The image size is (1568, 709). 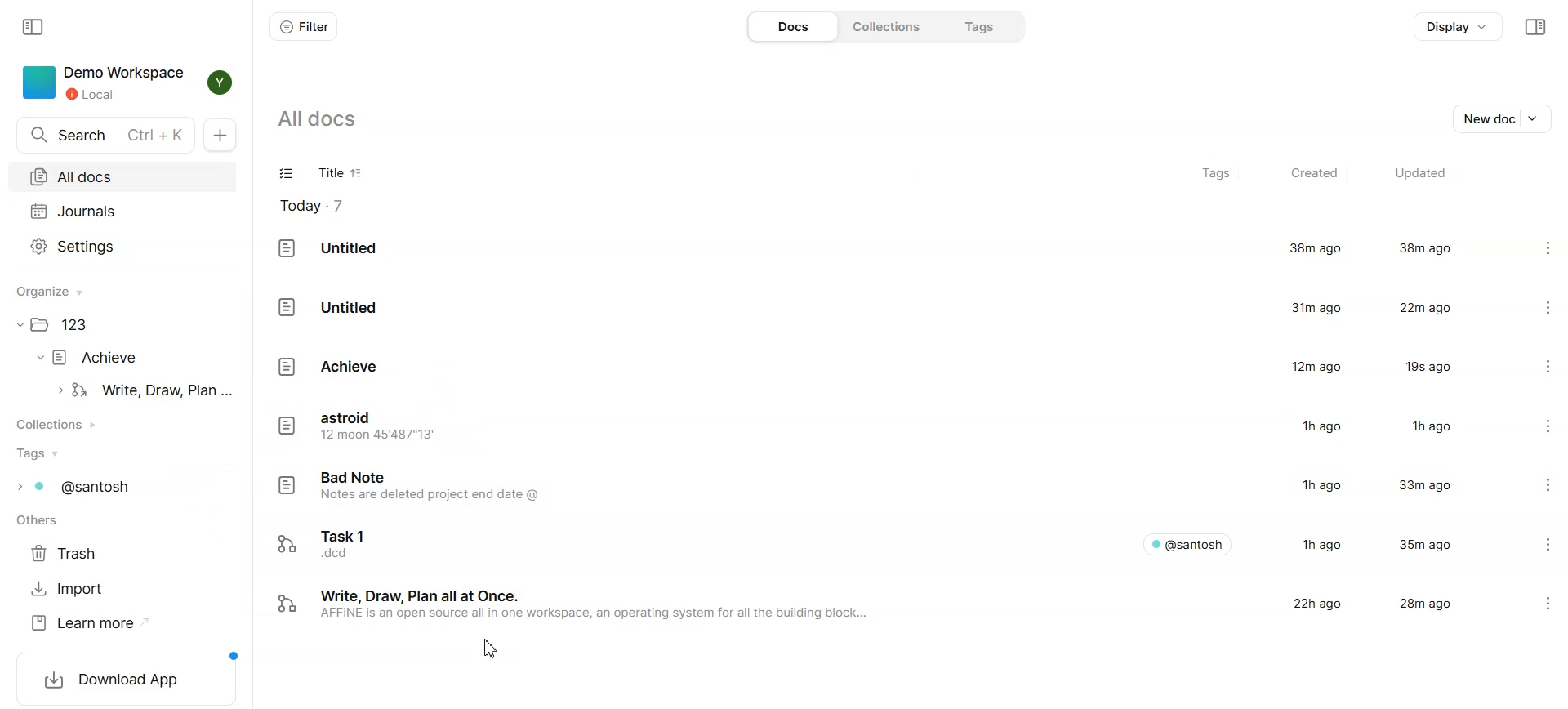 I want to click on Collections, so click(x=63, y=424).